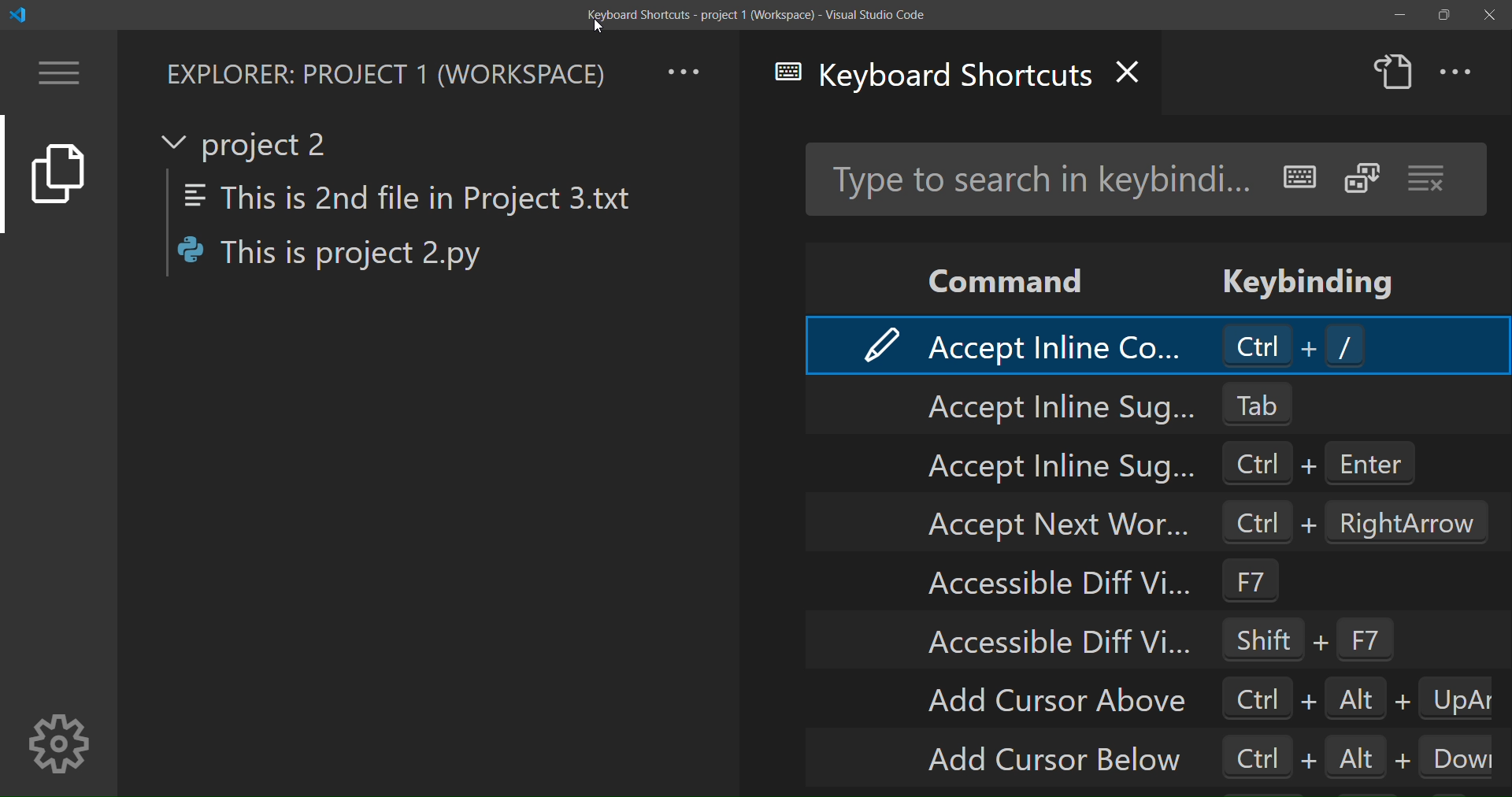  Describe the element at coordinates (687, 69) in the screenshot. I see `view and more actions` at that location.